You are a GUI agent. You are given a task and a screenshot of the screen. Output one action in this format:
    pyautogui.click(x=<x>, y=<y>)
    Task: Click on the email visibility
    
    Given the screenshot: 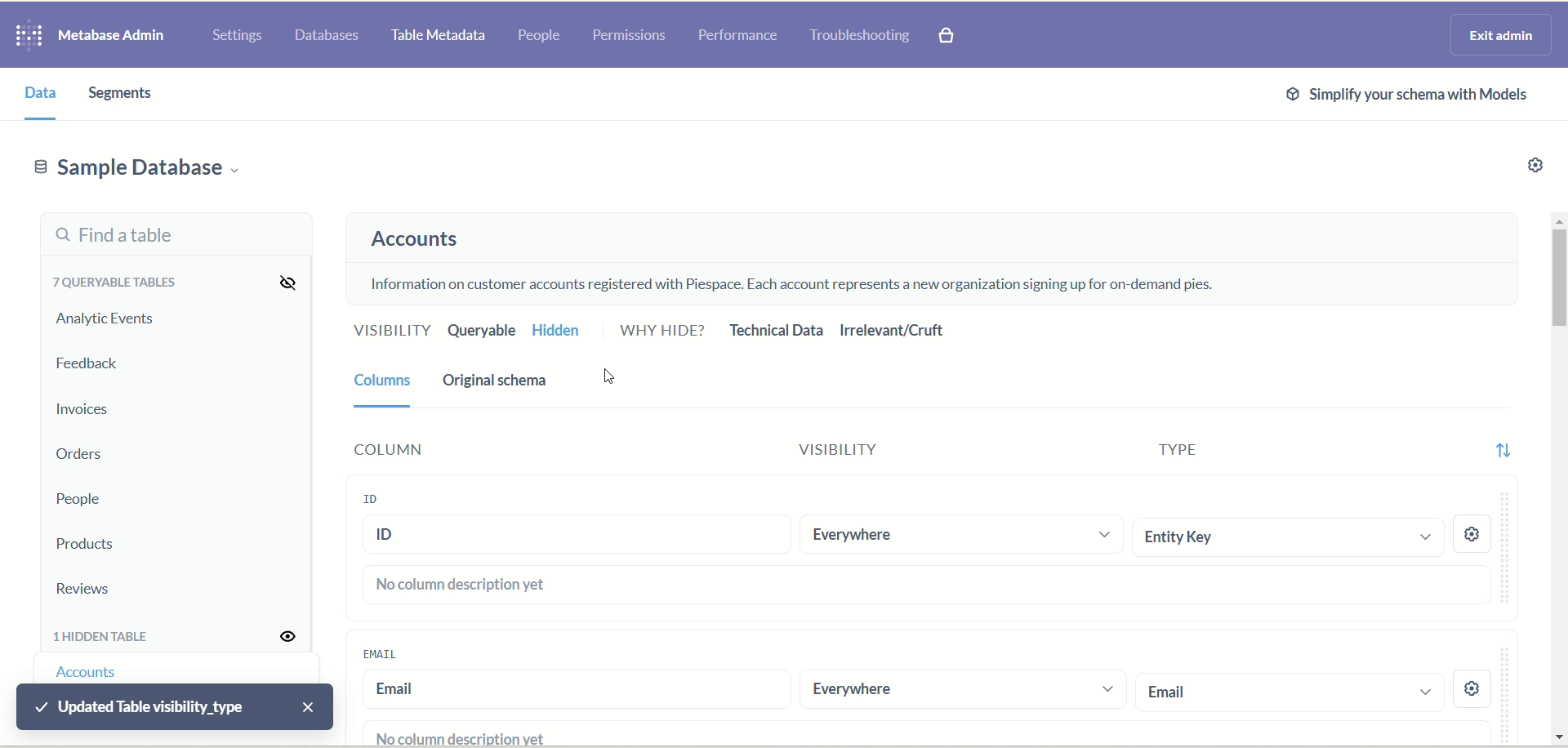 What is the action you would take?
    pyautogui.click(x=959, y=690)
    